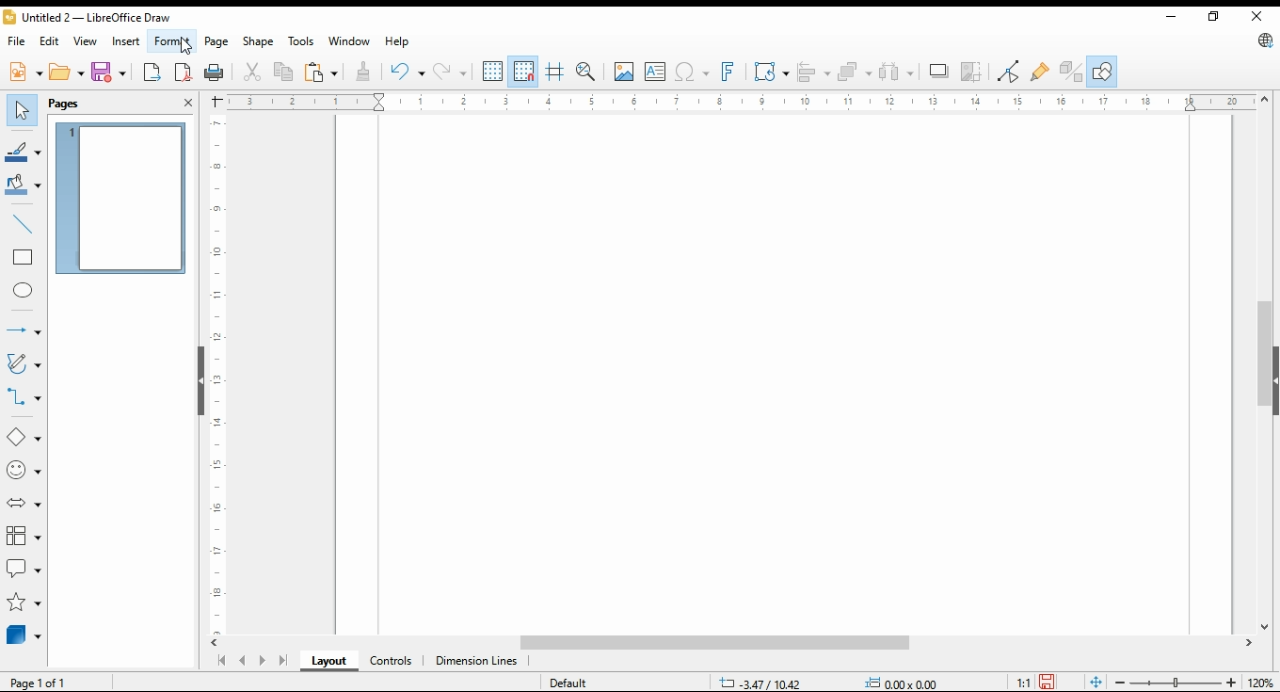 This screenshot has width=1280, height=692. Describe the element at coordinates (1009, 71) in the screenshot. I see `toggle point edit mode` at that location.